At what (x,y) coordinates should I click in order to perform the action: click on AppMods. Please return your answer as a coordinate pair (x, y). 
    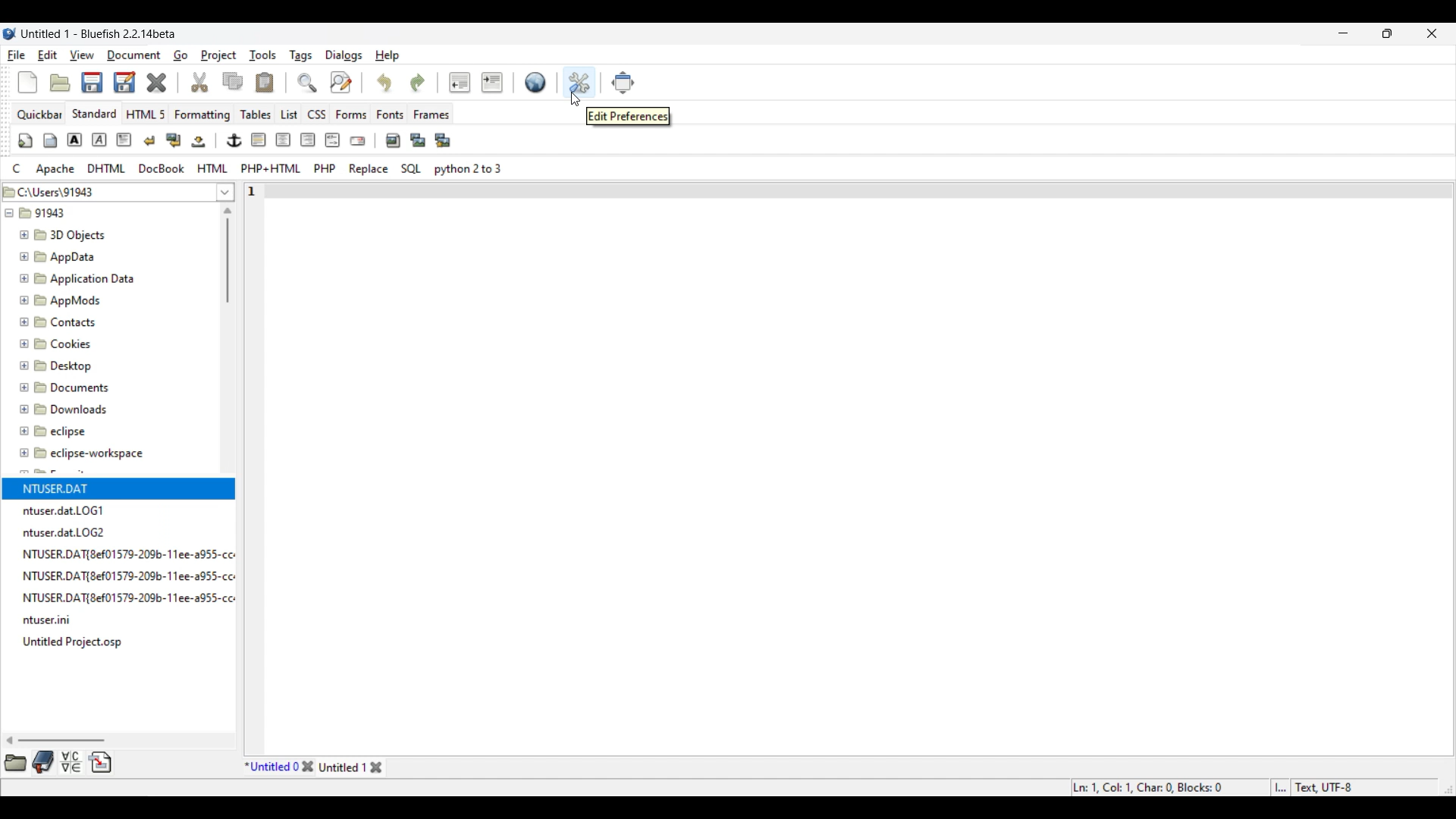
    Looking at the image, I should click on (58, 298).